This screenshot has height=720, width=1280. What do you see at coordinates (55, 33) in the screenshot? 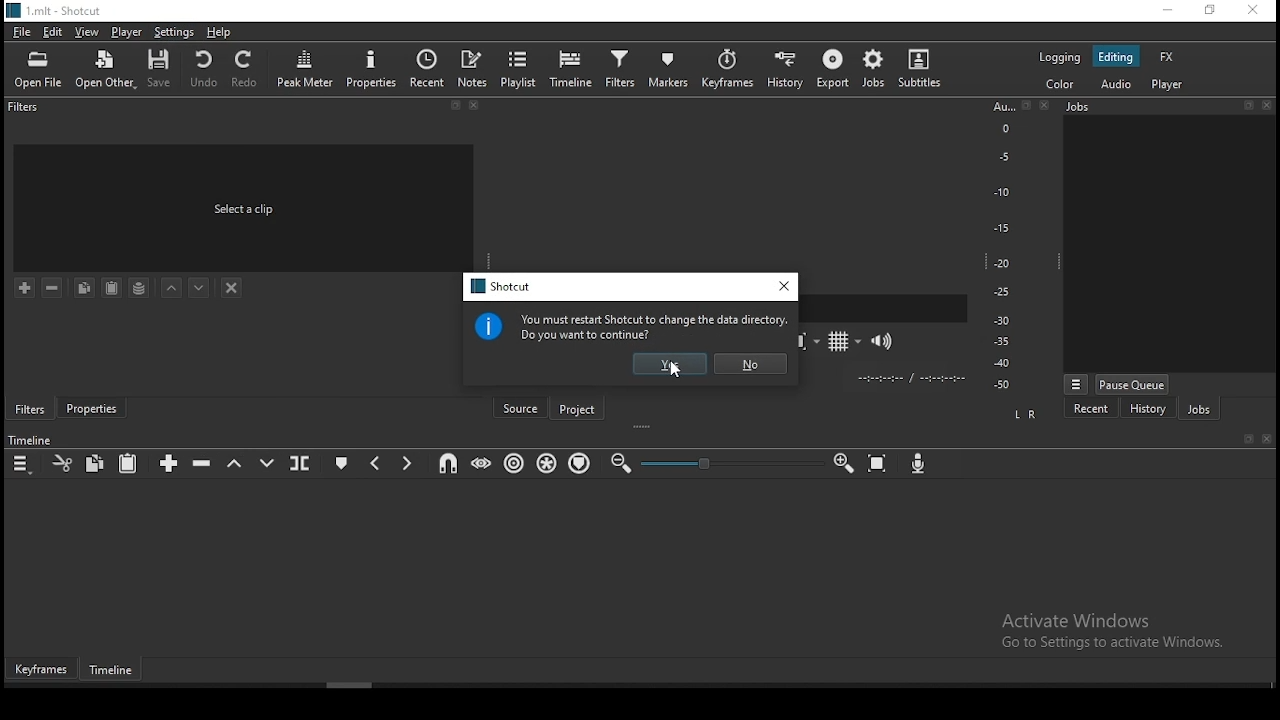
I see `edit` at bounding box center [55, 33].